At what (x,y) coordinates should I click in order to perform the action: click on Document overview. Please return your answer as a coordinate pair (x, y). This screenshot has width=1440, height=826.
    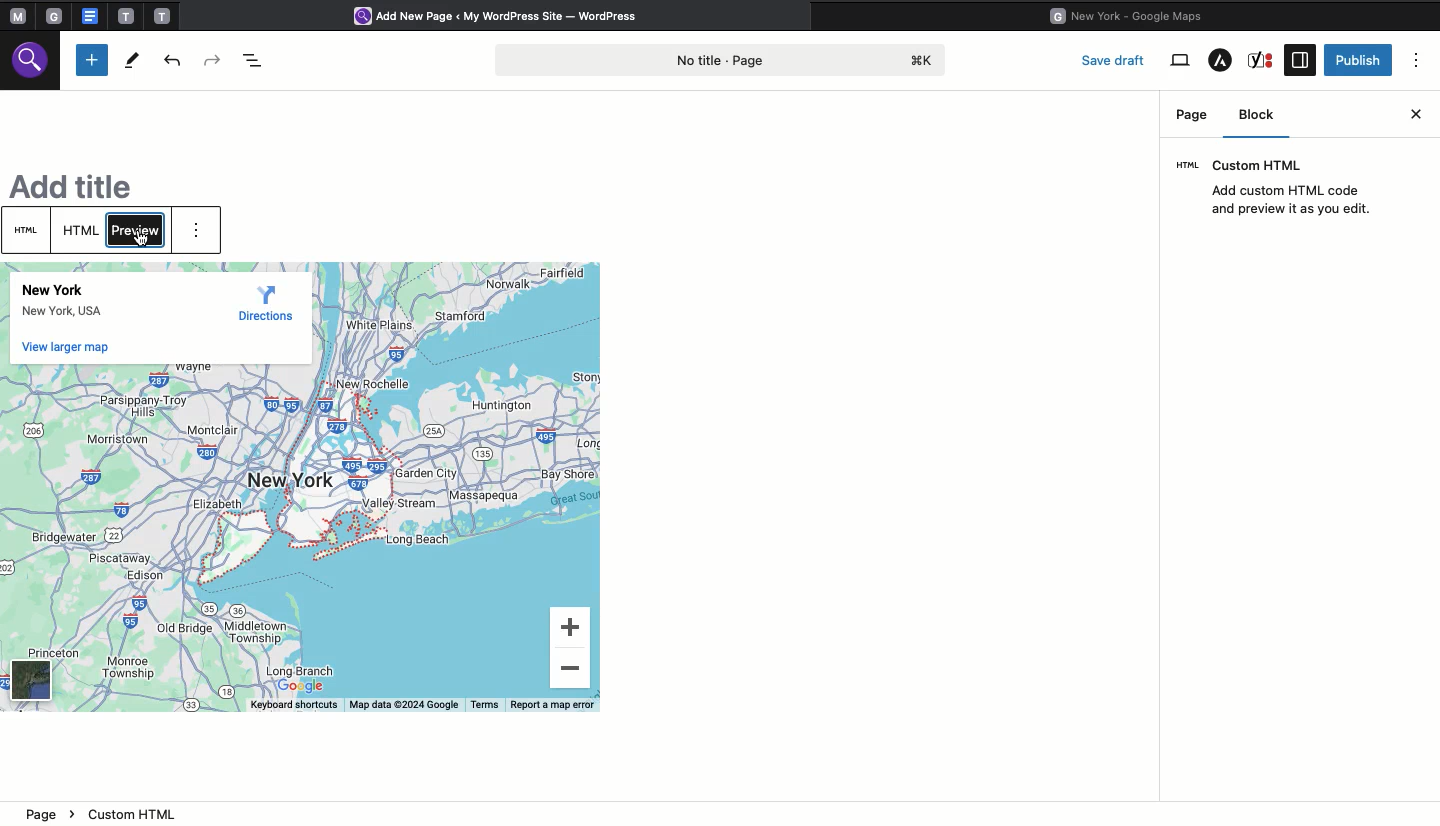
    Looking at the image, I should click on (253, 58).